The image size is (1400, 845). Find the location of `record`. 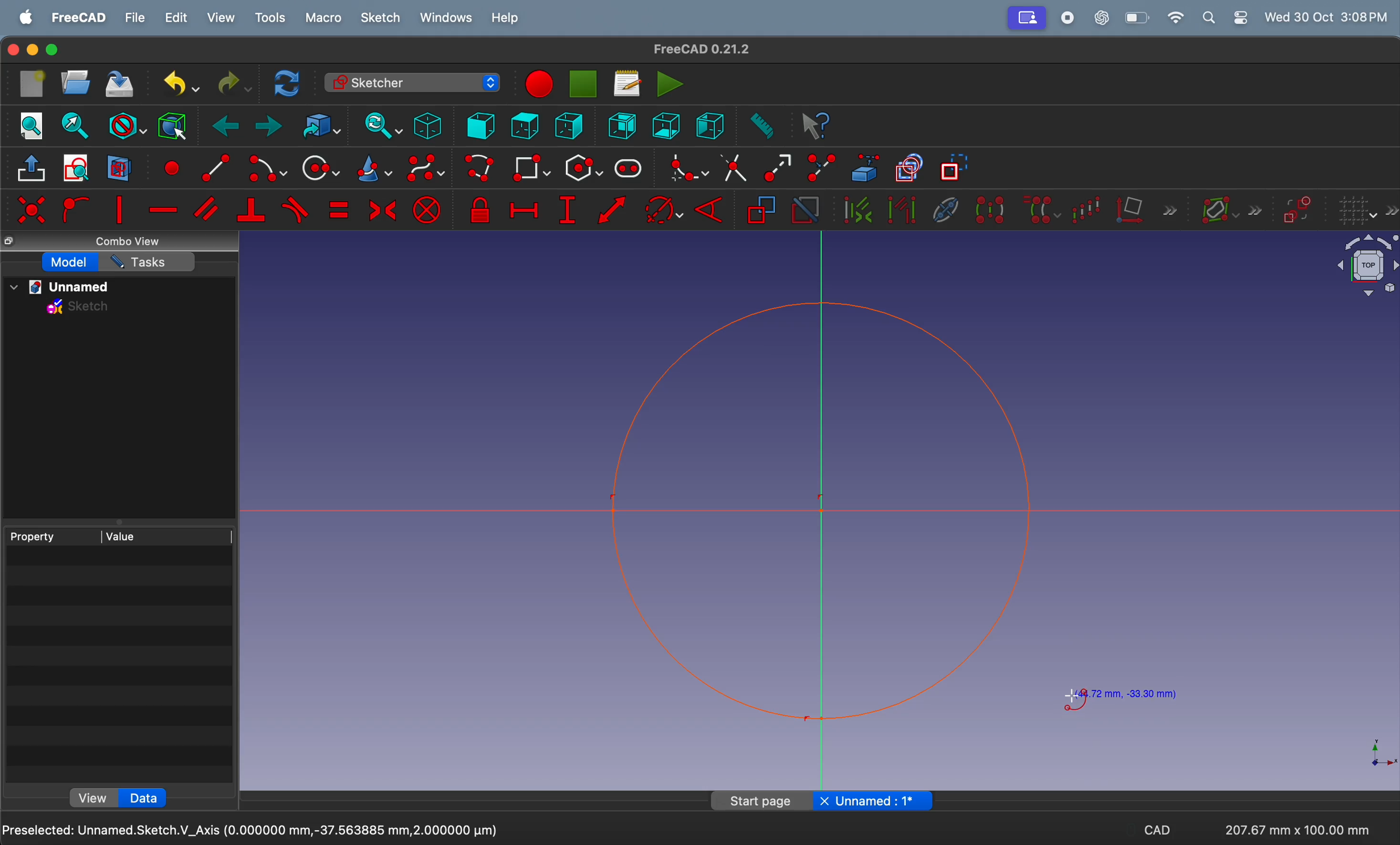

record is located at coordinates (1070, 18).